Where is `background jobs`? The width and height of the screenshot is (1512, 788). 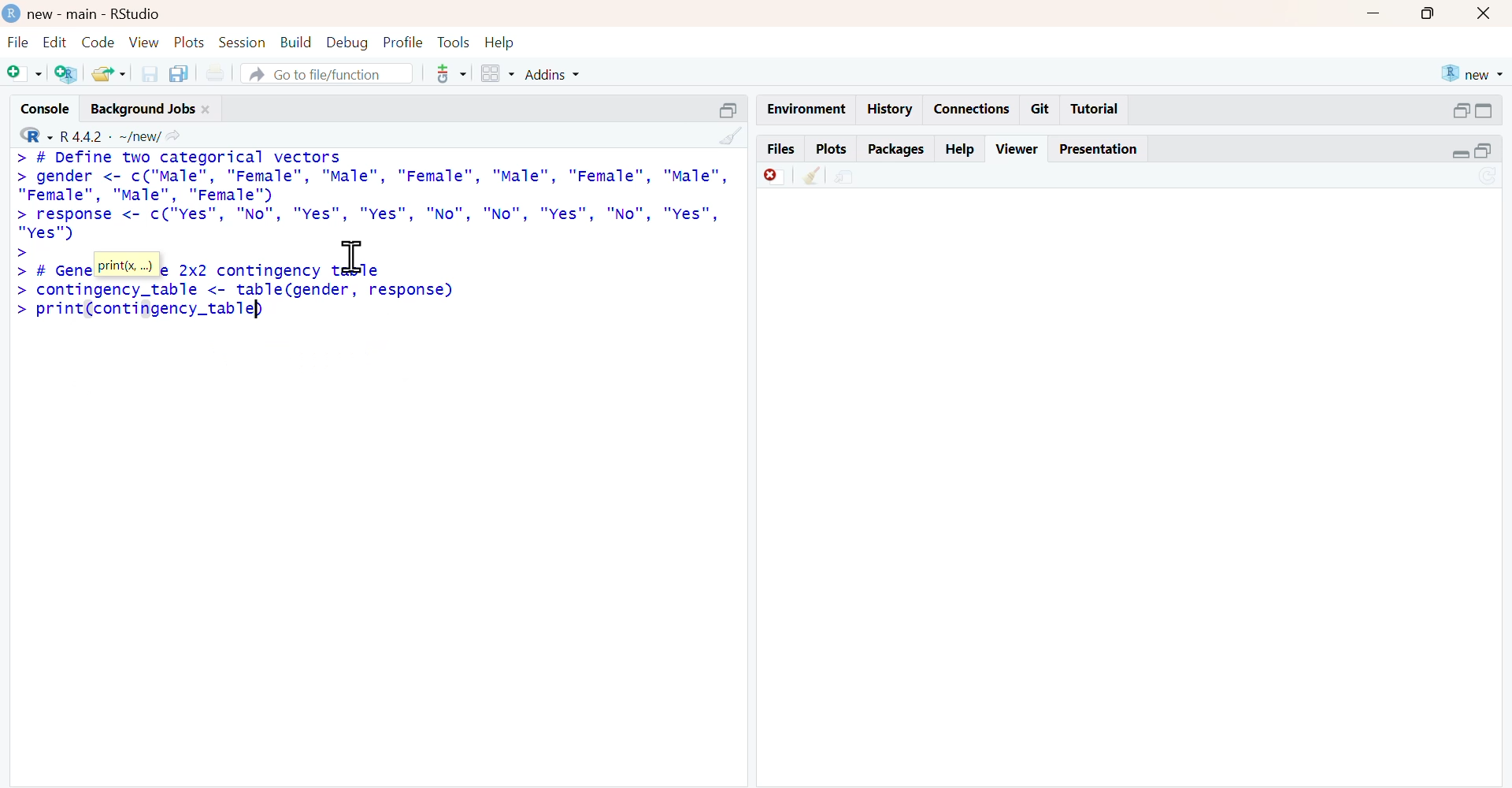 background jobs is located at coordinates (143, 109).